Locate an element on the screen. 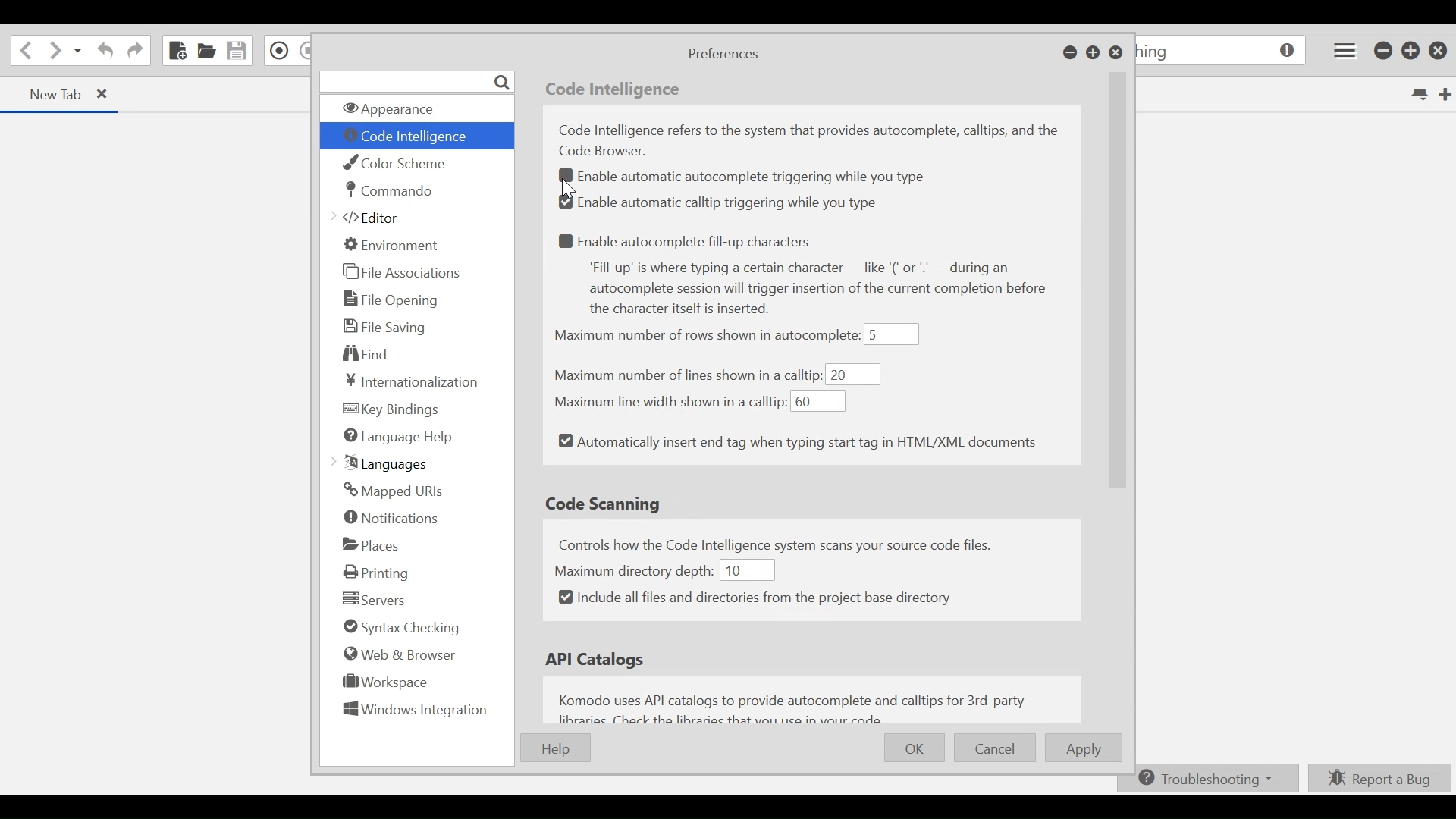 This screenshot has width=1456, height=819. Close is located at coordinates (1116, 54).